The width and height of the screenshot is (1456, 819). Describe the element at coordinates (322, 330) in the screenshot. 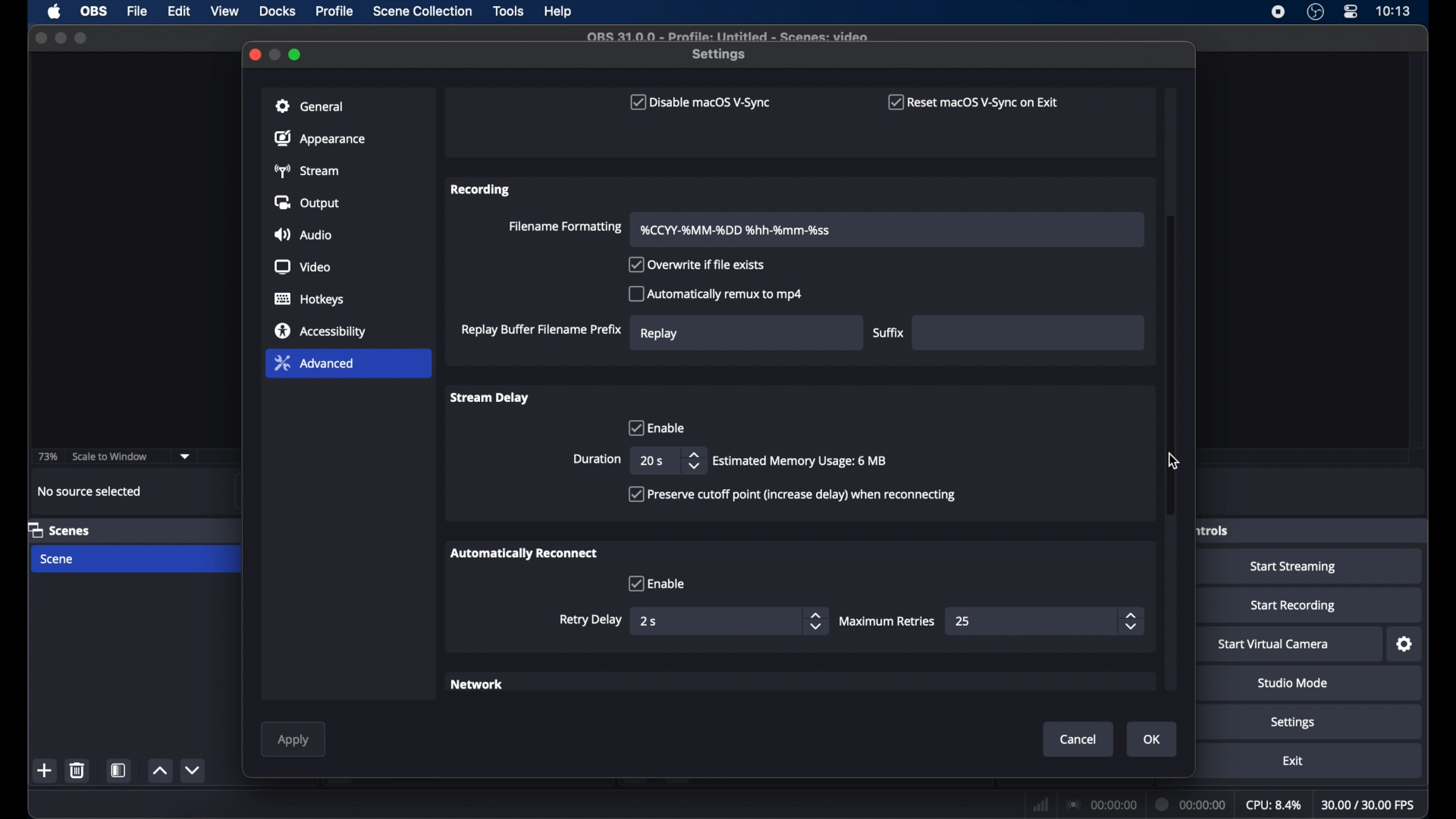

I see `accessibility ` at that location.